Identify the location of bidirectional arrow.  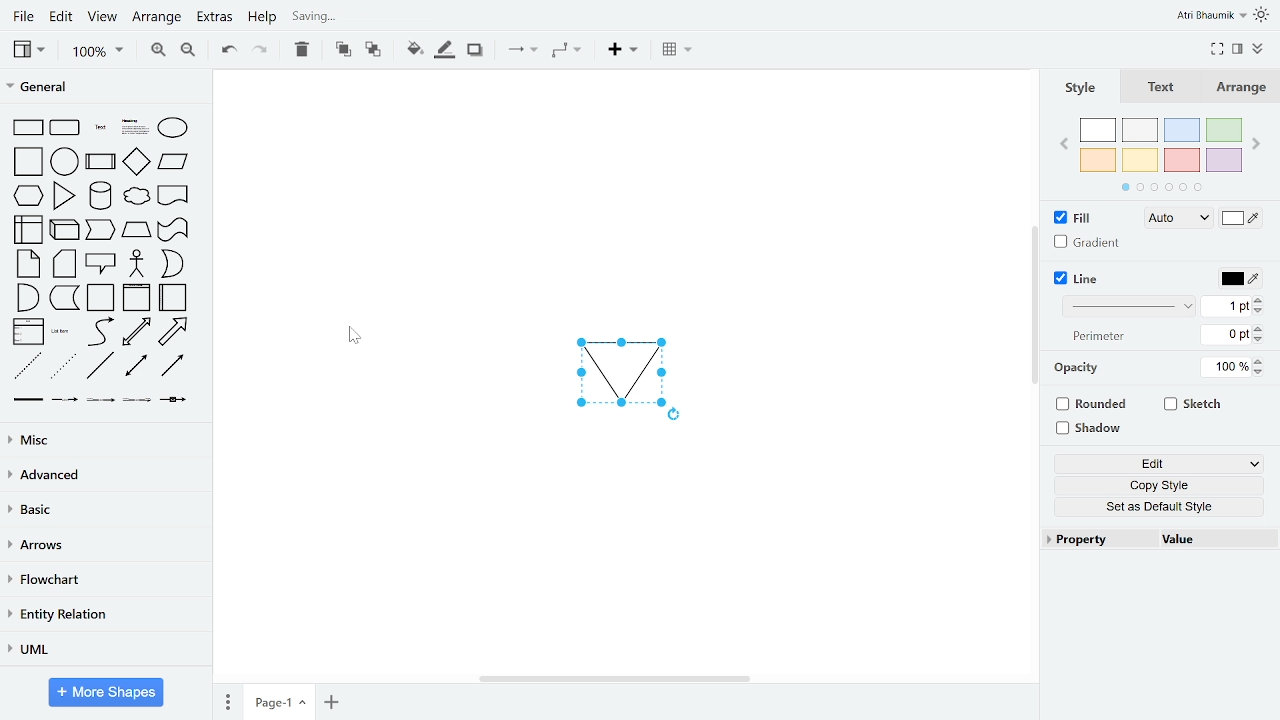
(136, 332).